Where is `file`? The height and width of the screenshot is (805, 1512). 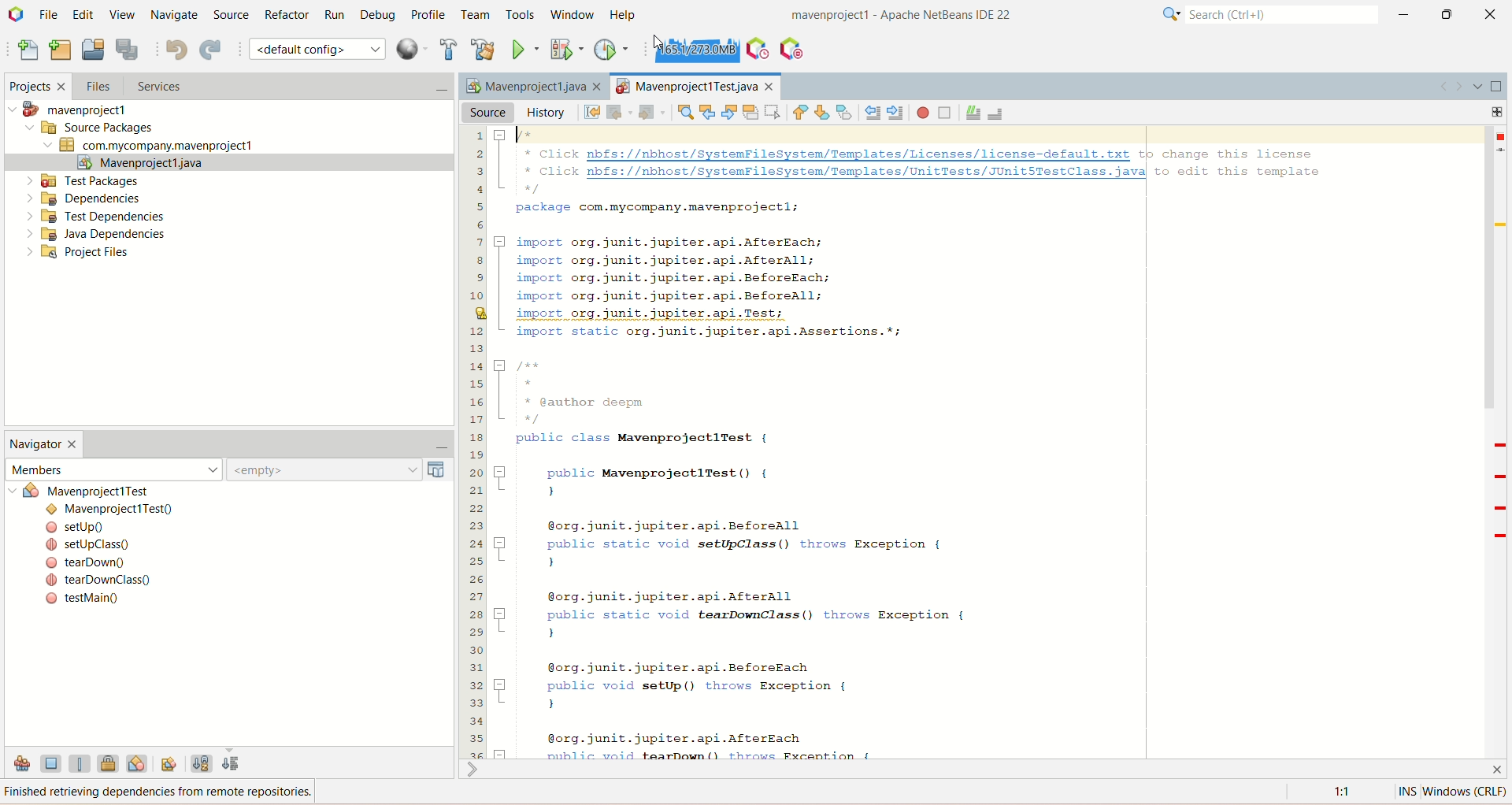
file is located at coordinates (51, 13).